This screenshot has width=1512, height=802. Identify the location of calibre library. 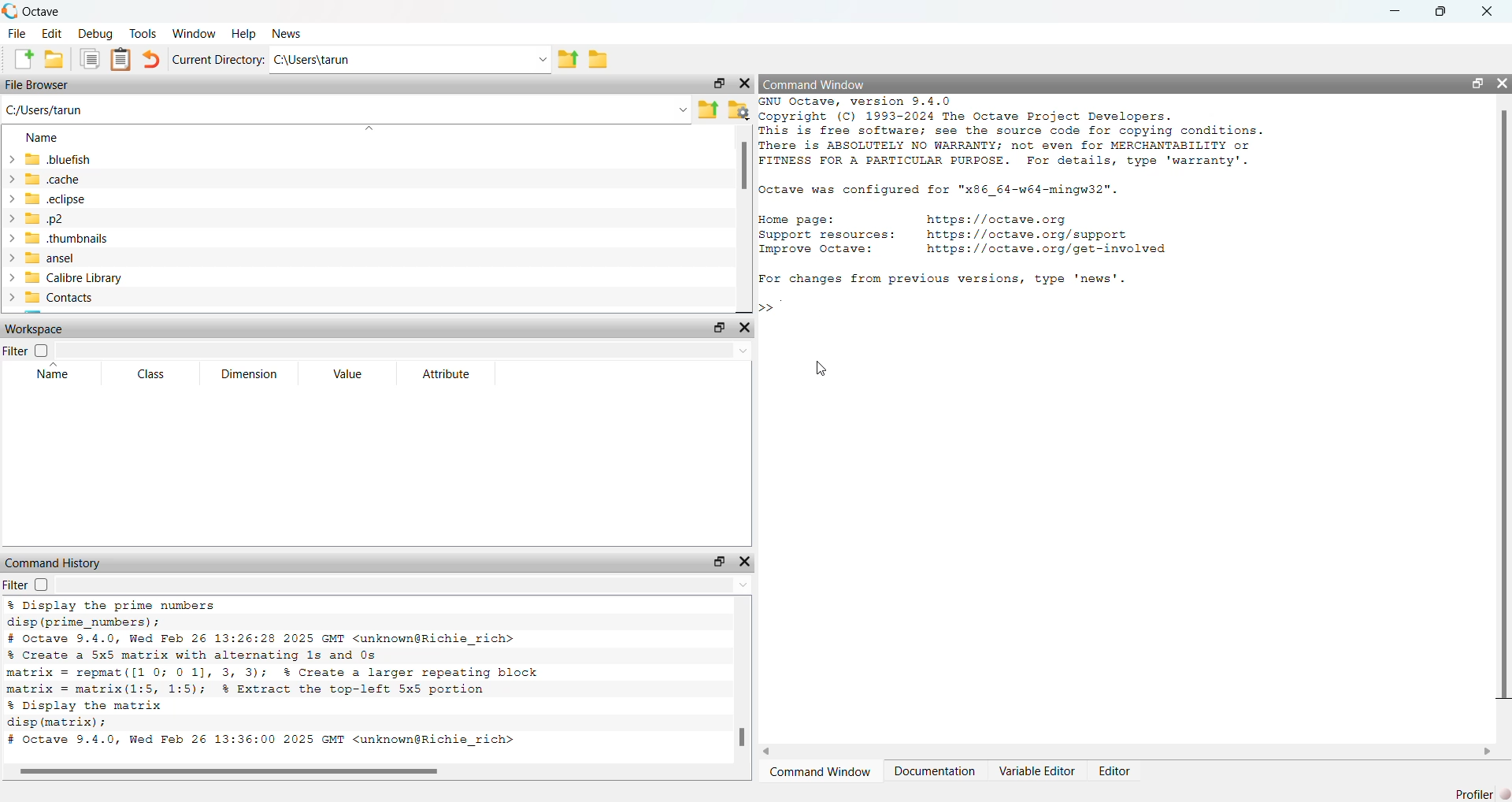
(80, 277).